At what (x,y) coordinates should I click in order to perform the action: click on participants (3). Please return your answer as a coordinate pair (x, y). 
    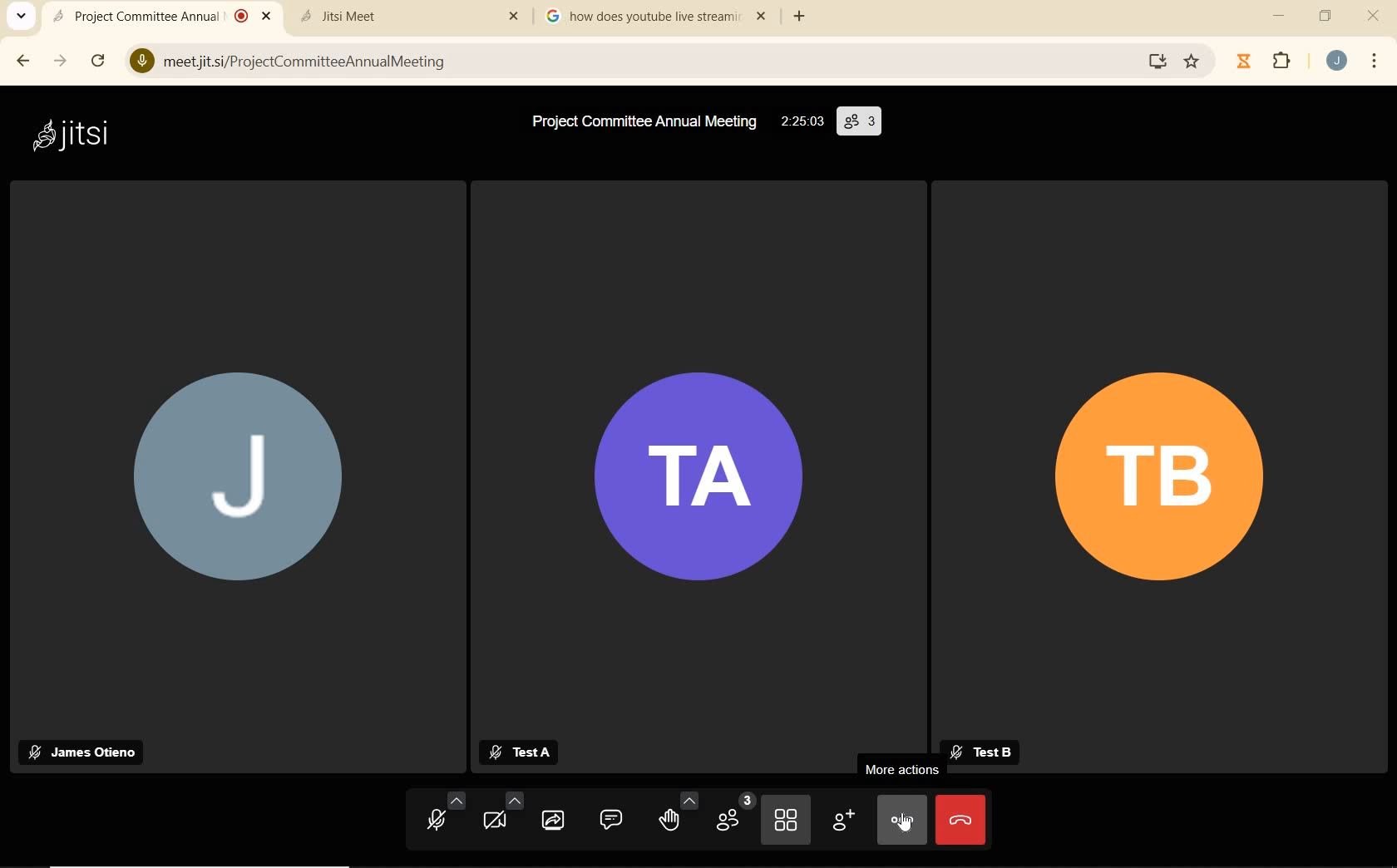
    Looking at the image, I should click on (860, 123).